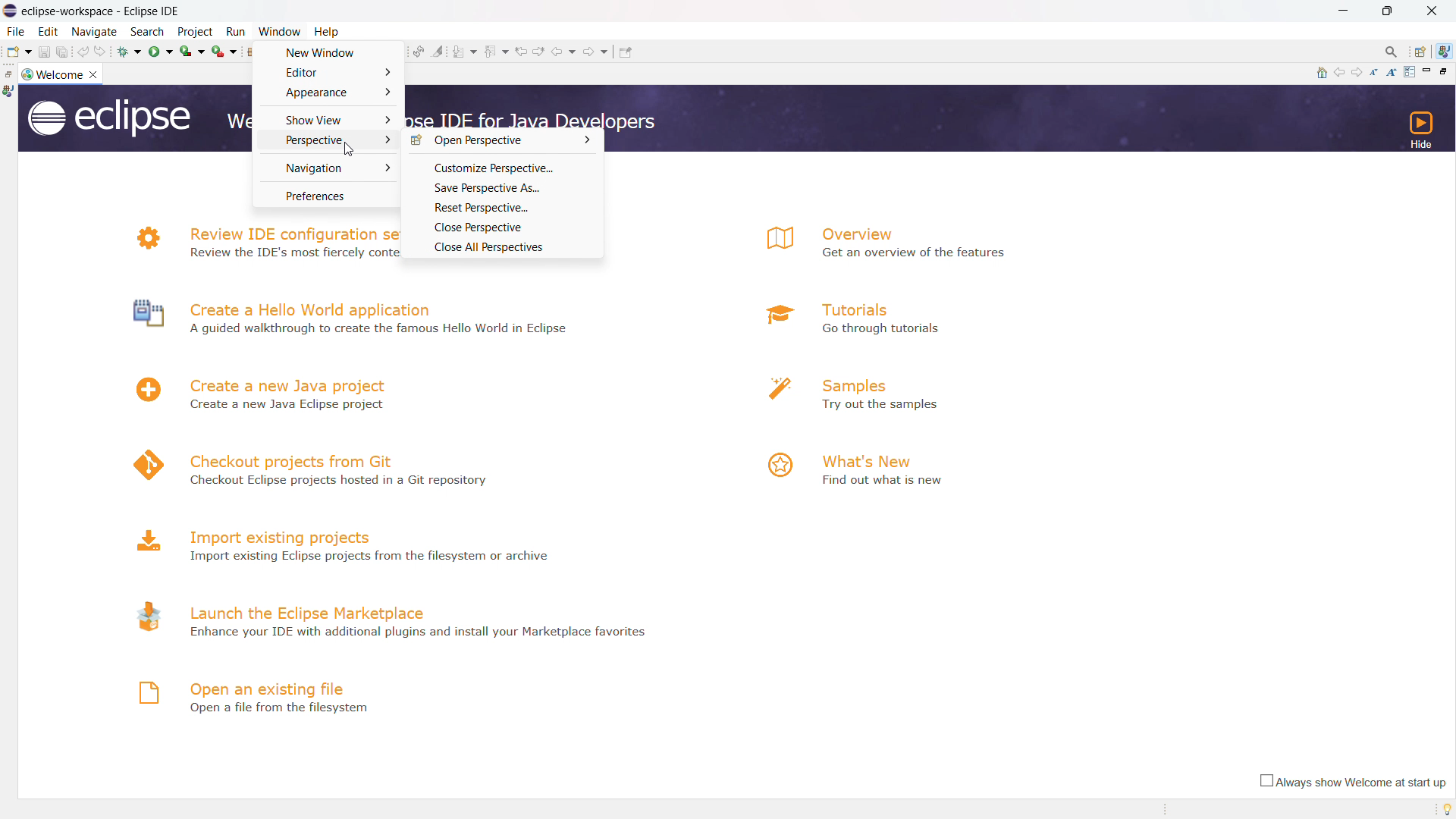  Describe the element at coordinates (501, 188) in the screenshot. I see `save perspective as` at that location.